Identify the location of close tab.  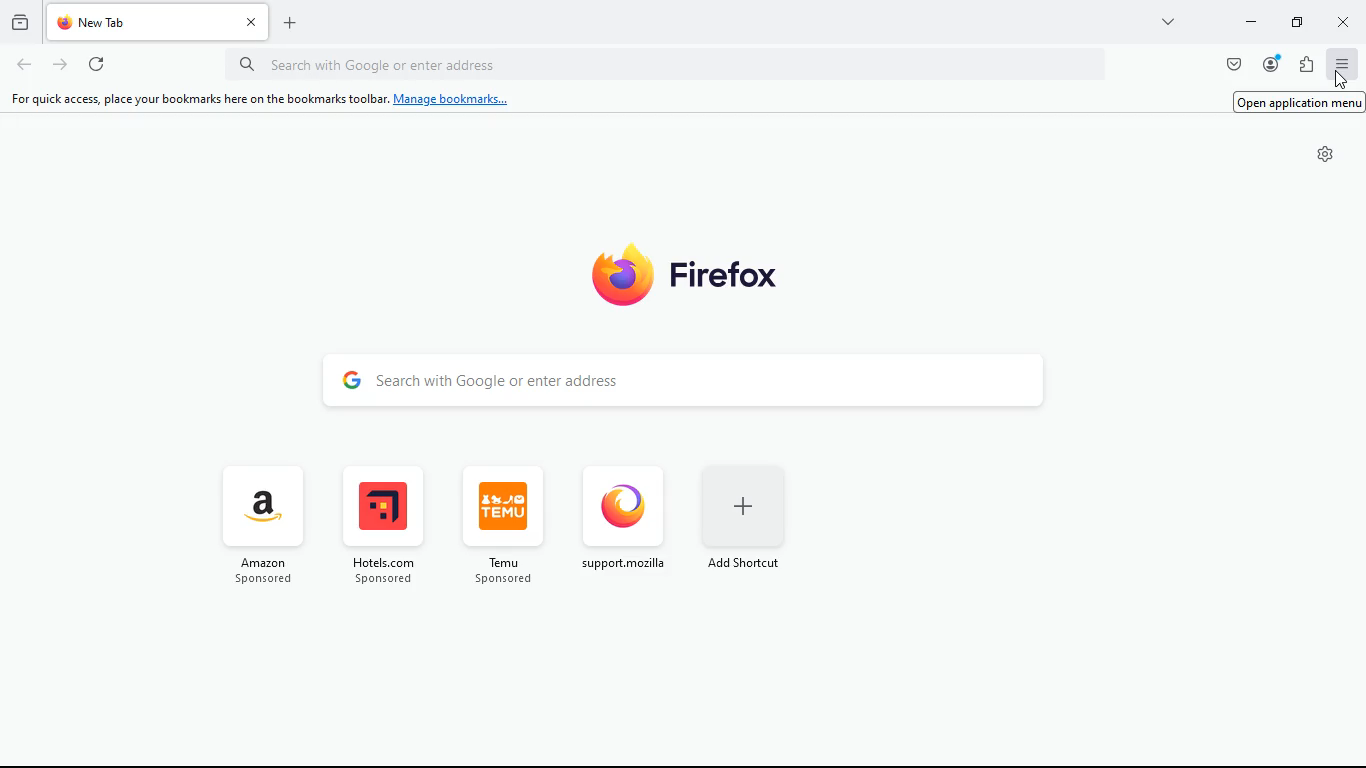
(252, 20).